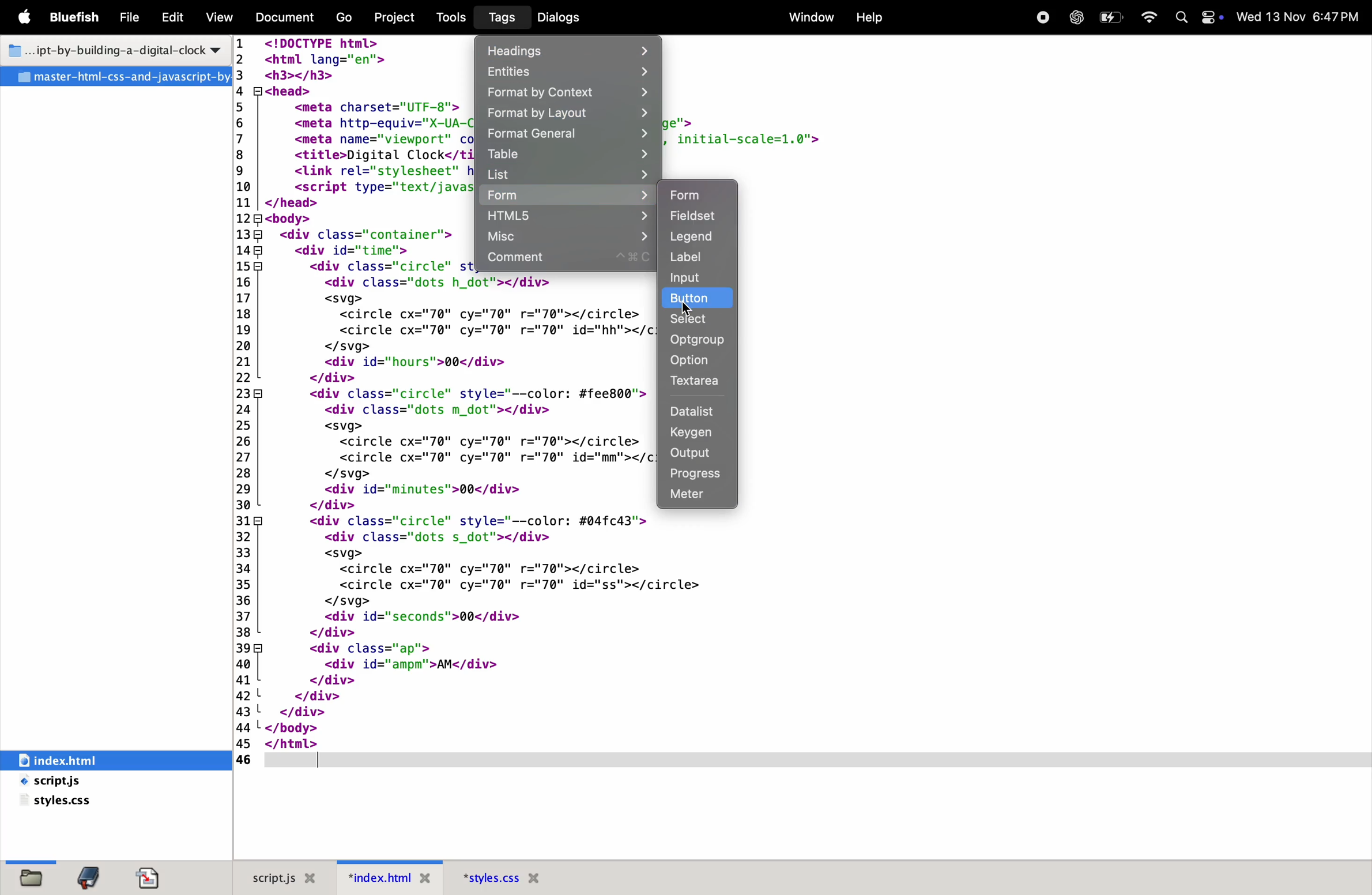  What do you see at coordinates (568, 94) in the screenshot?
I see `format by context` at bounding box center [568, 94].